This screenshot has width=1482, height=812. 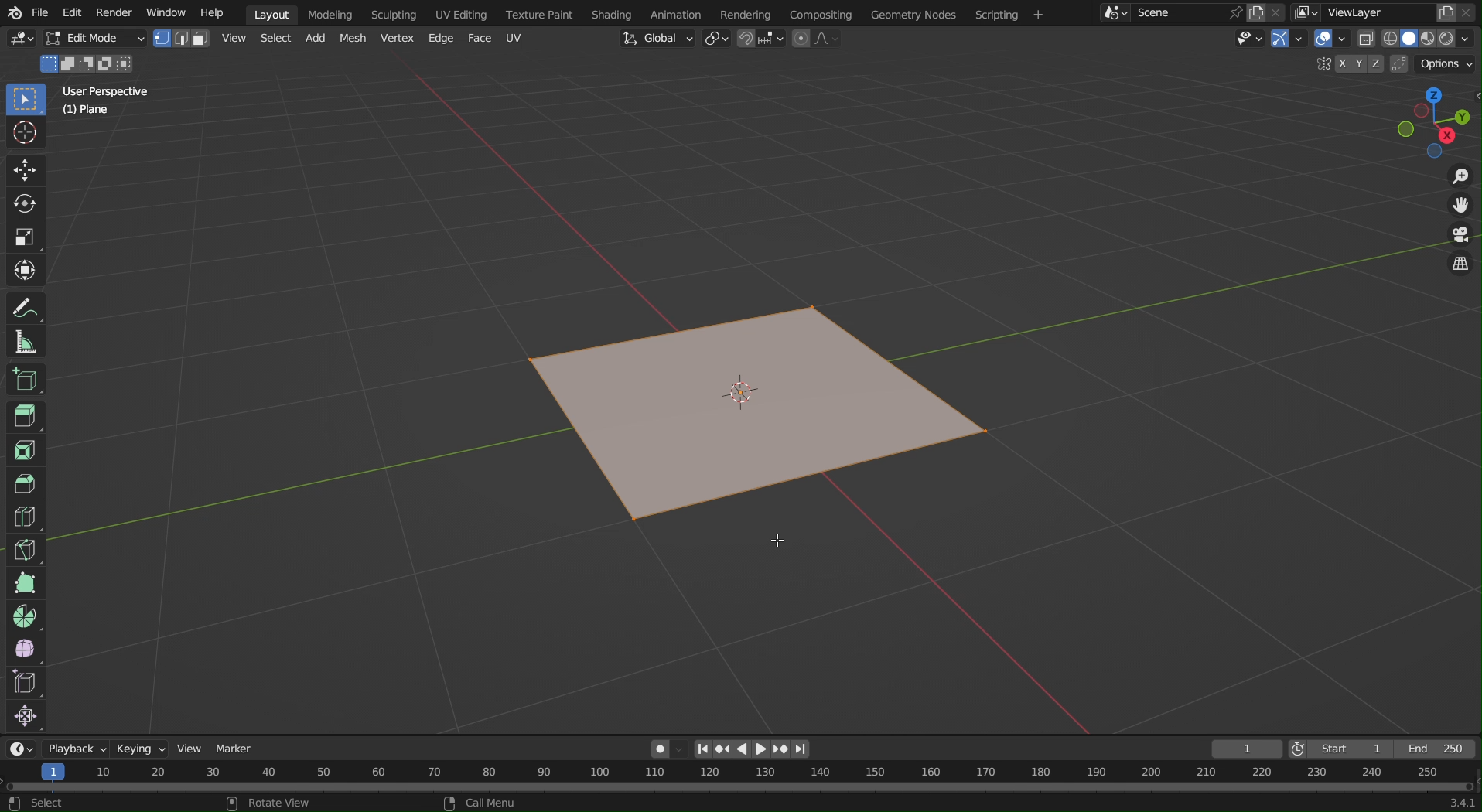 I want to click on Vertex, so click(x=396, y=39).